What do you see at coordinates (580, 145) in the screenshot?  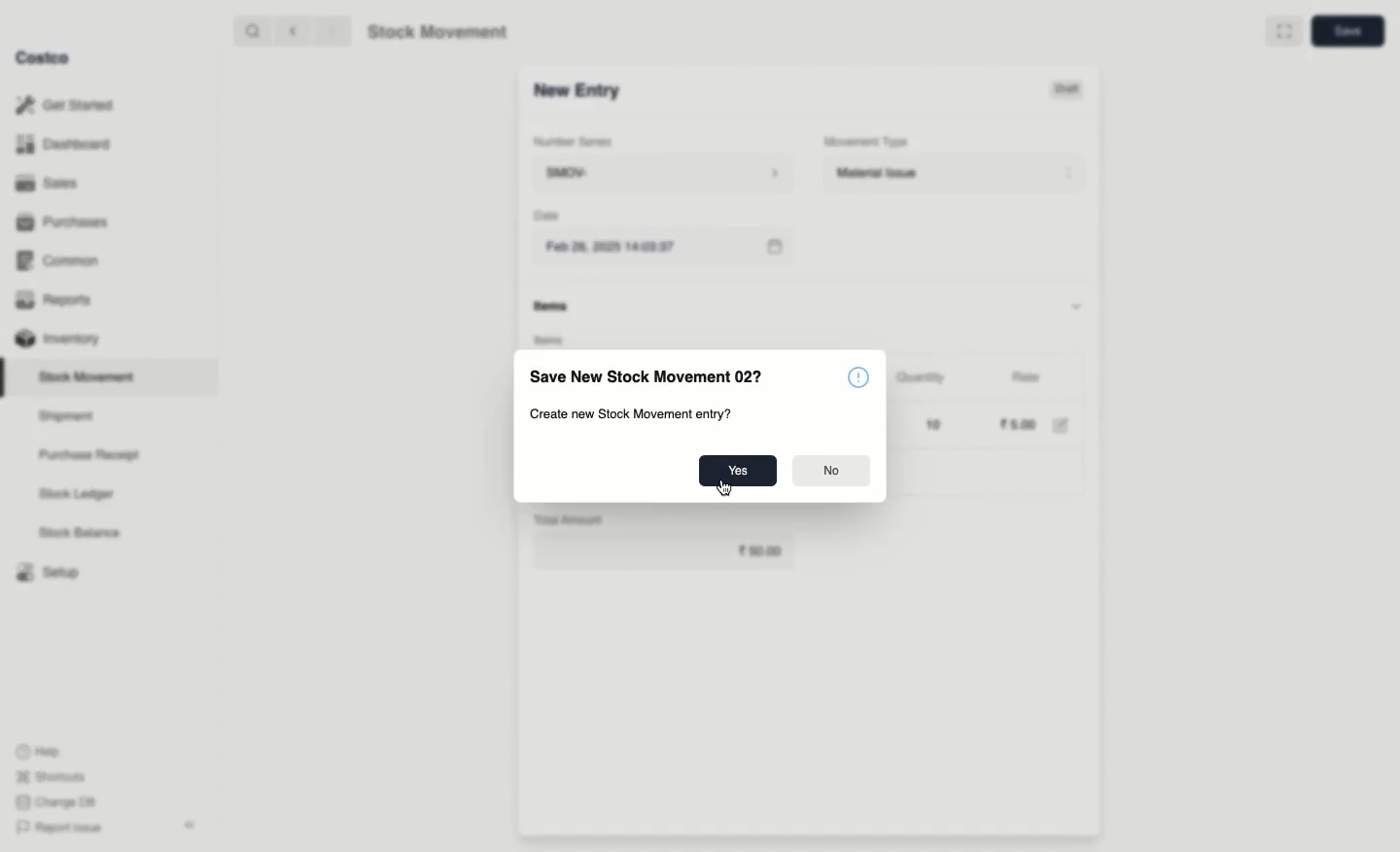 I see `Number Series` at bounding box center [580, 145].